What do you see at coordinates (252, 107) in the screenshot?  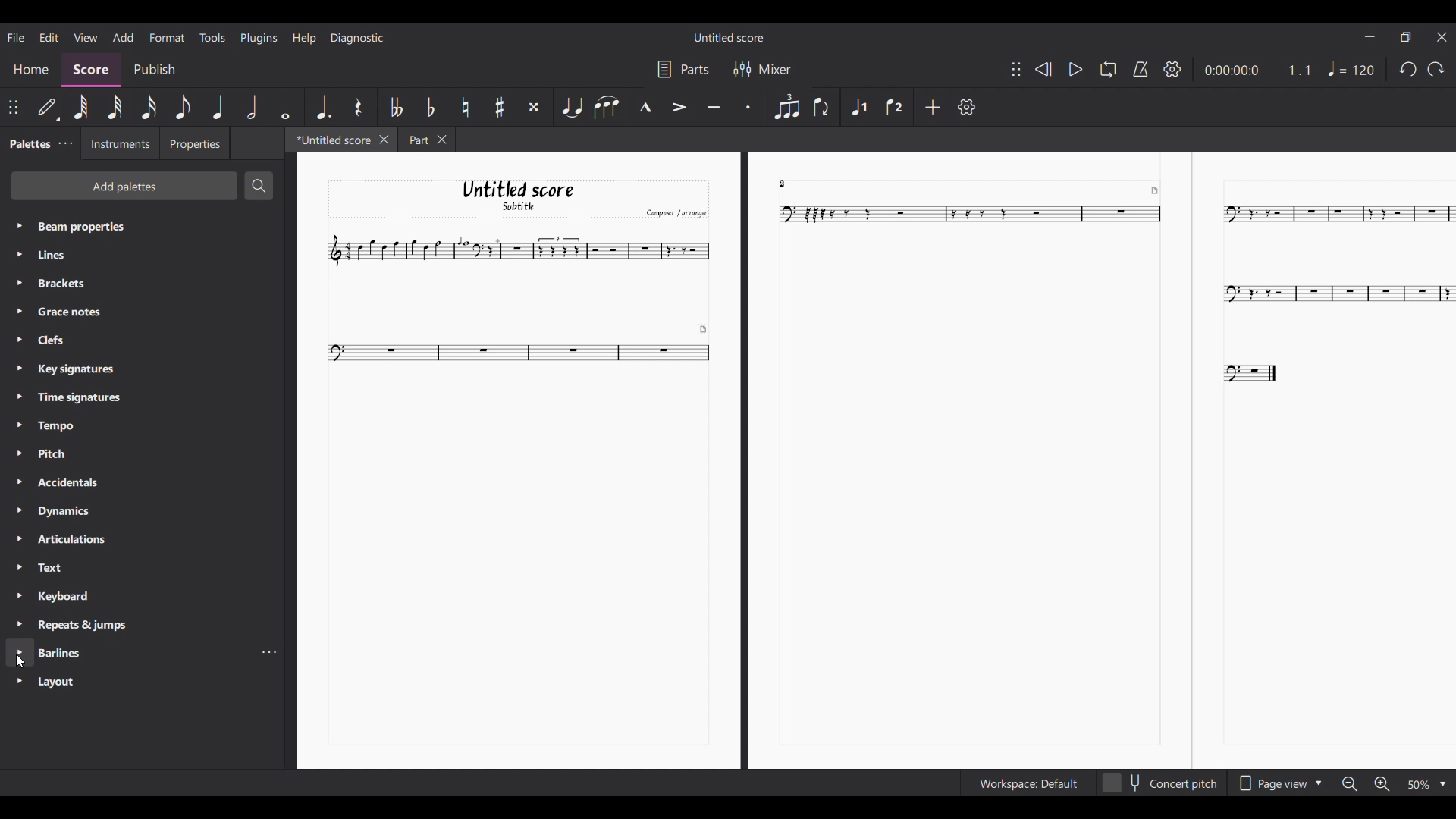 I see `Half note` at bounding box center [252, 107].